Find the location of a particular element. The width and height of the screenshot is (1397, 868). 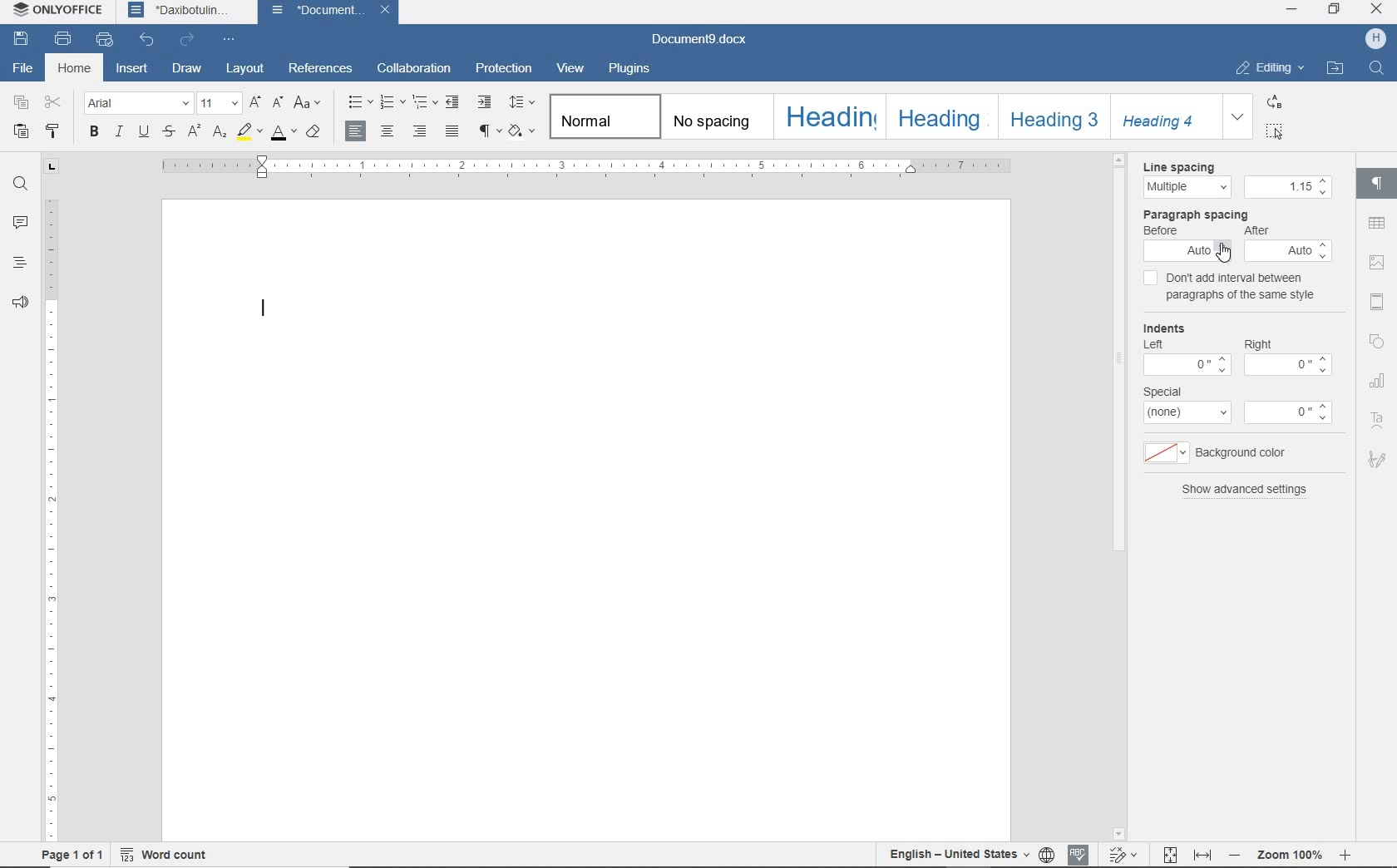

EDITING is located at coordinates (1269, 67).